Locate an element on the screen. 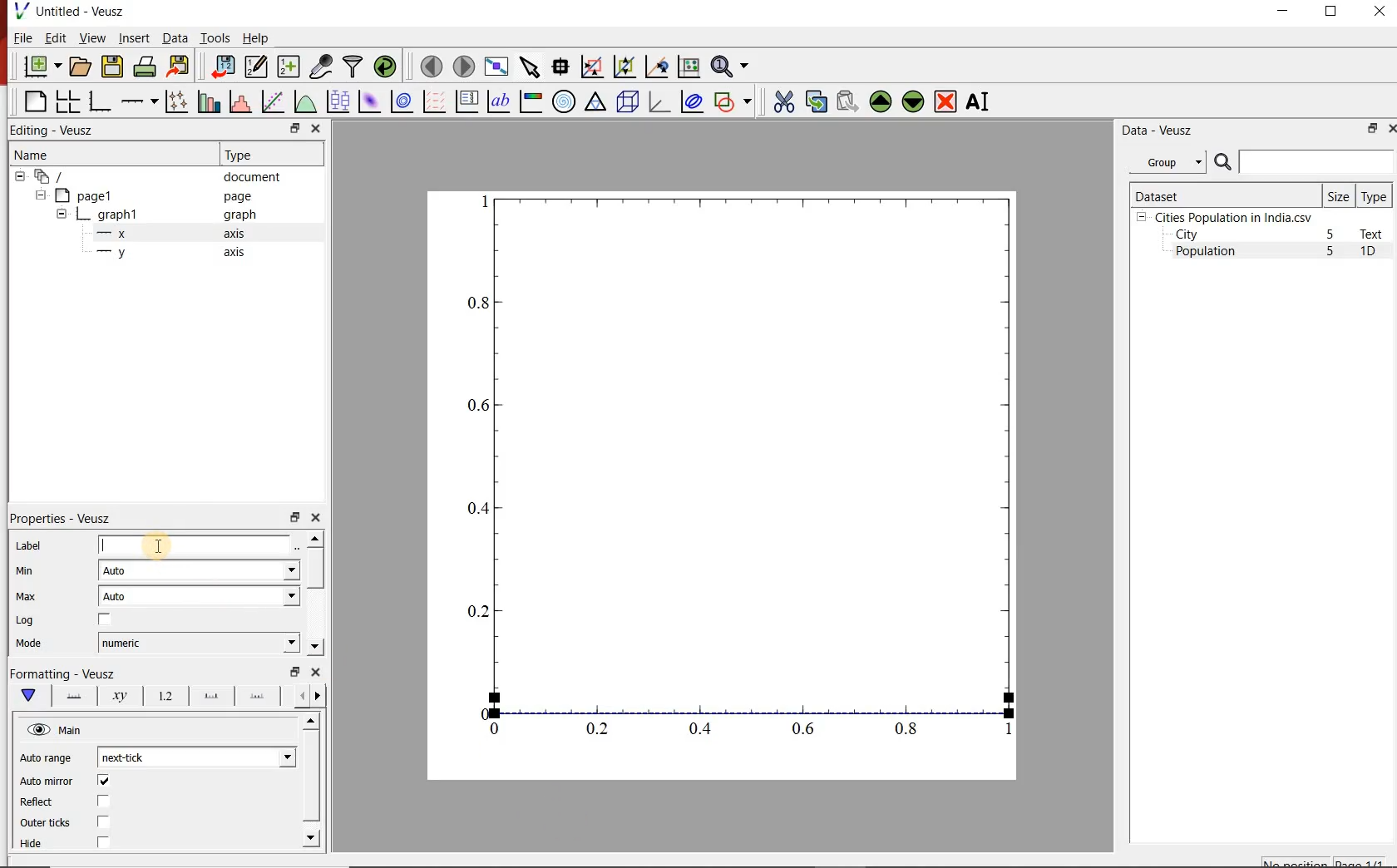 This screenshot has height=868, width=1397. scrollbar is located at coordinates (315, 594).